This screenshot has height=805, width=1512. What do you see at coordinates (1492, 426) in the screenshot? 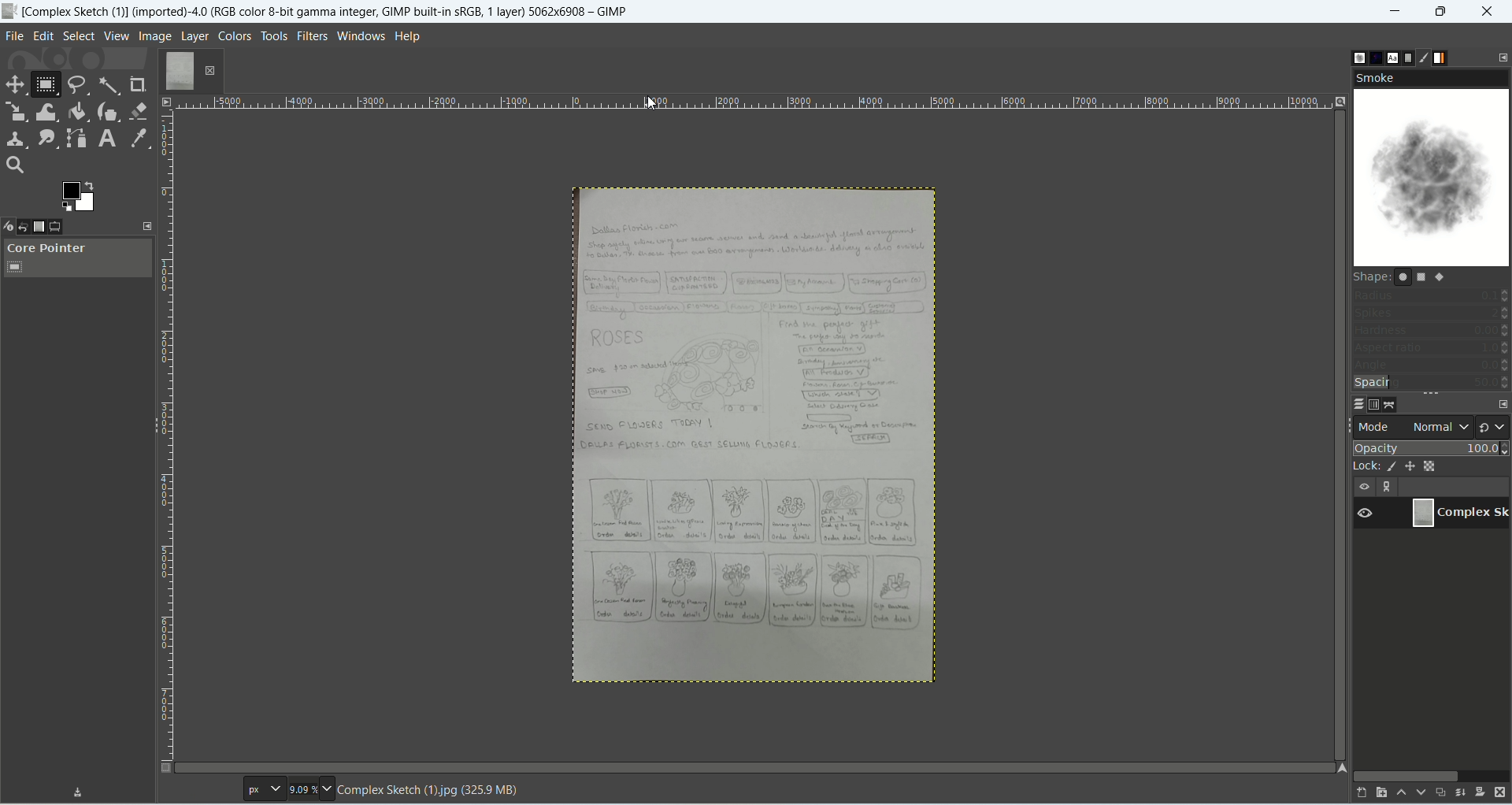
I see `switch to another group` at bounding box center [1492, 426].